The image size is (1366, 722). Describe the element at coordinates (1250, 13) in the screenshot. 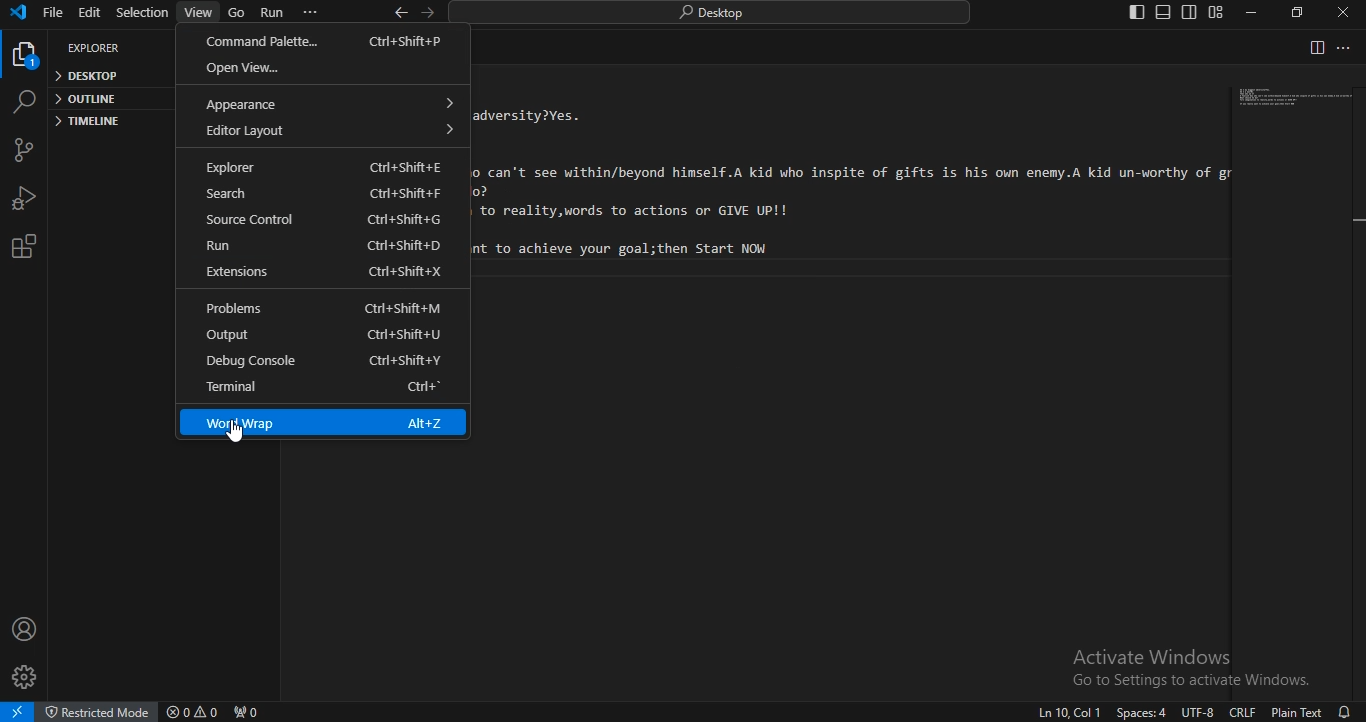

I see `minimize` at that location.